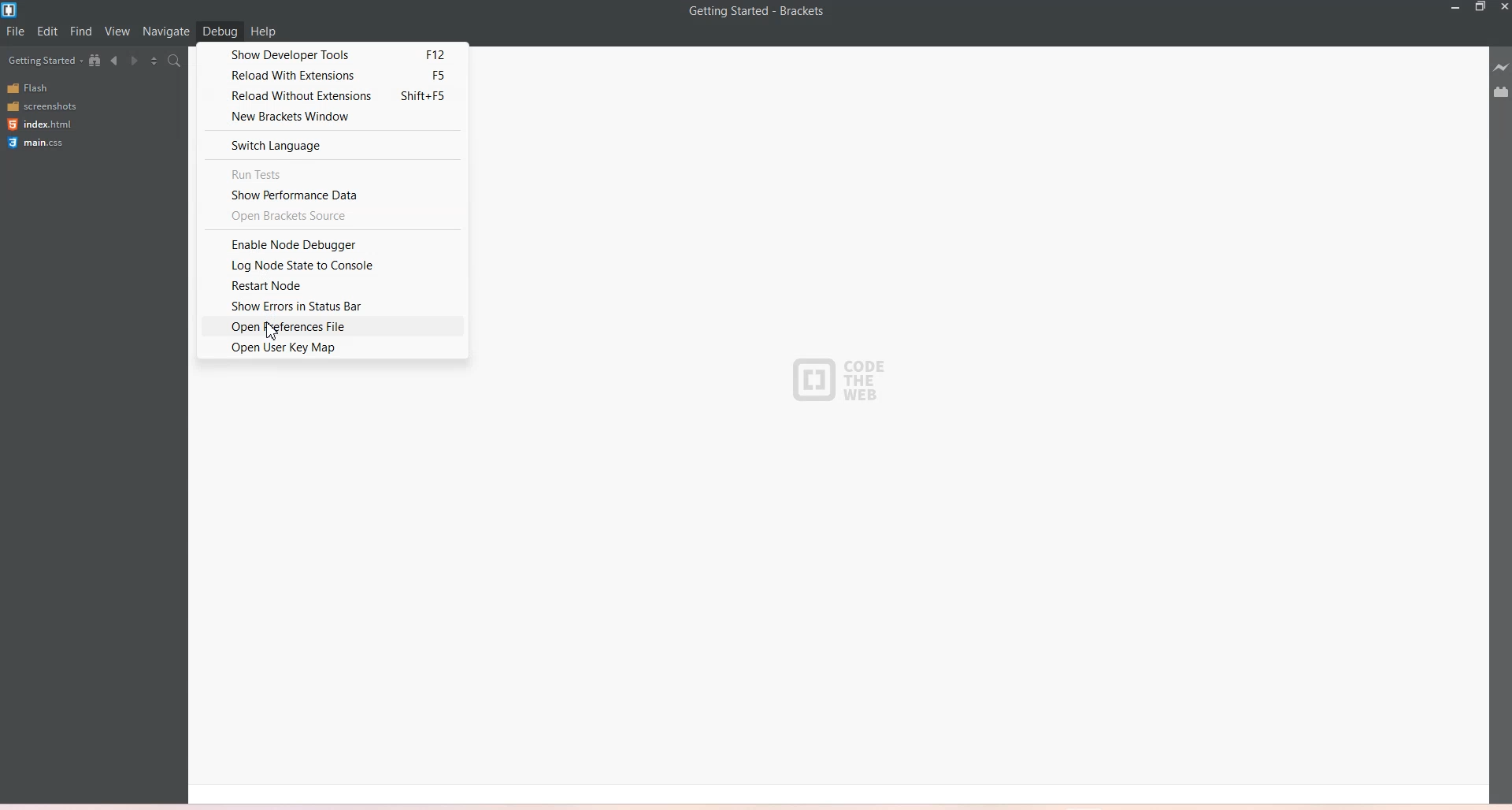 This screenshot has width=1512, height=810. I want to click on run tests, so click(333, 173).